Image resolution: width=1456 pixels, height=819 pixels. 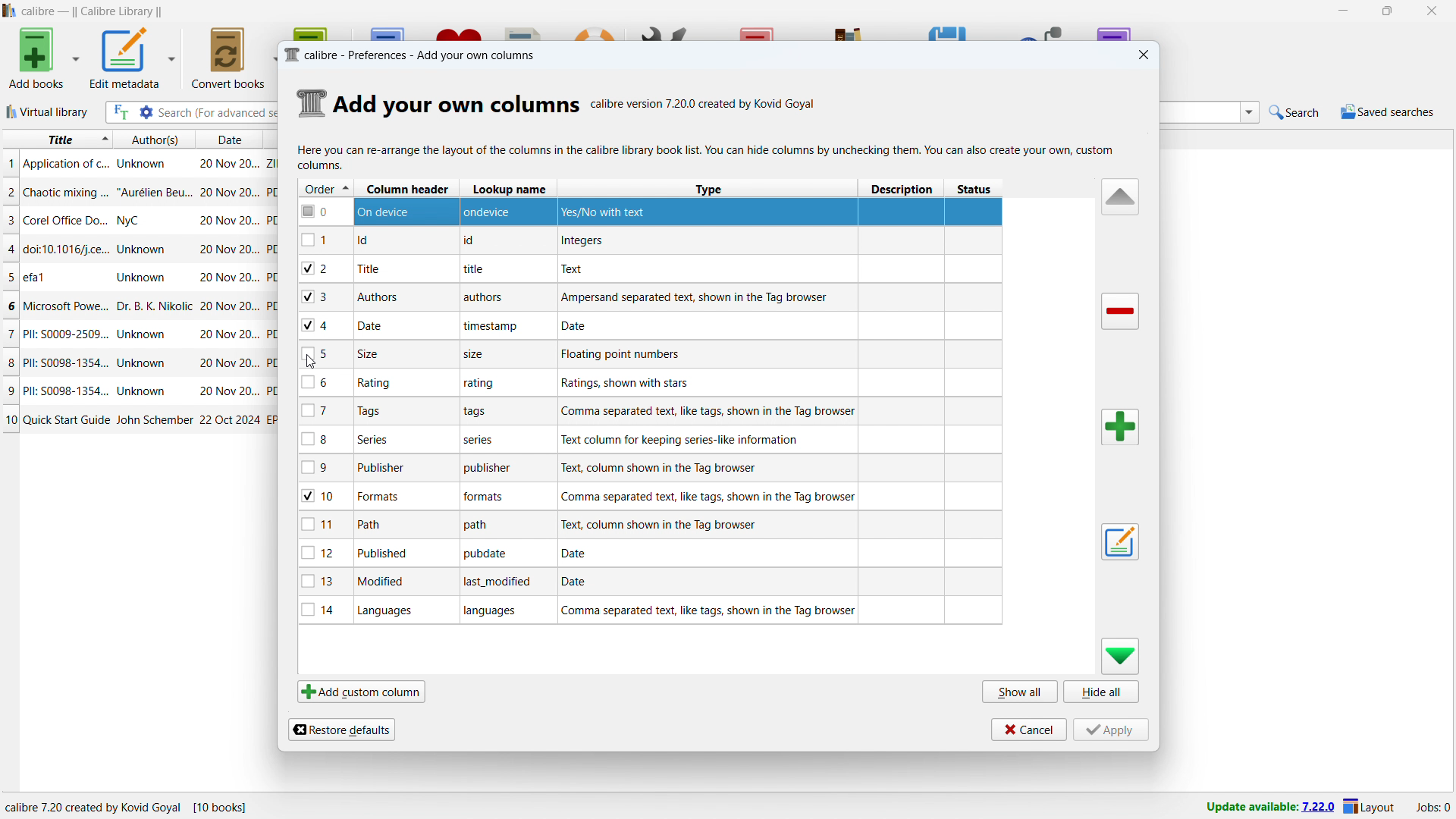 I want to click on author, so click(x=153, y=420).